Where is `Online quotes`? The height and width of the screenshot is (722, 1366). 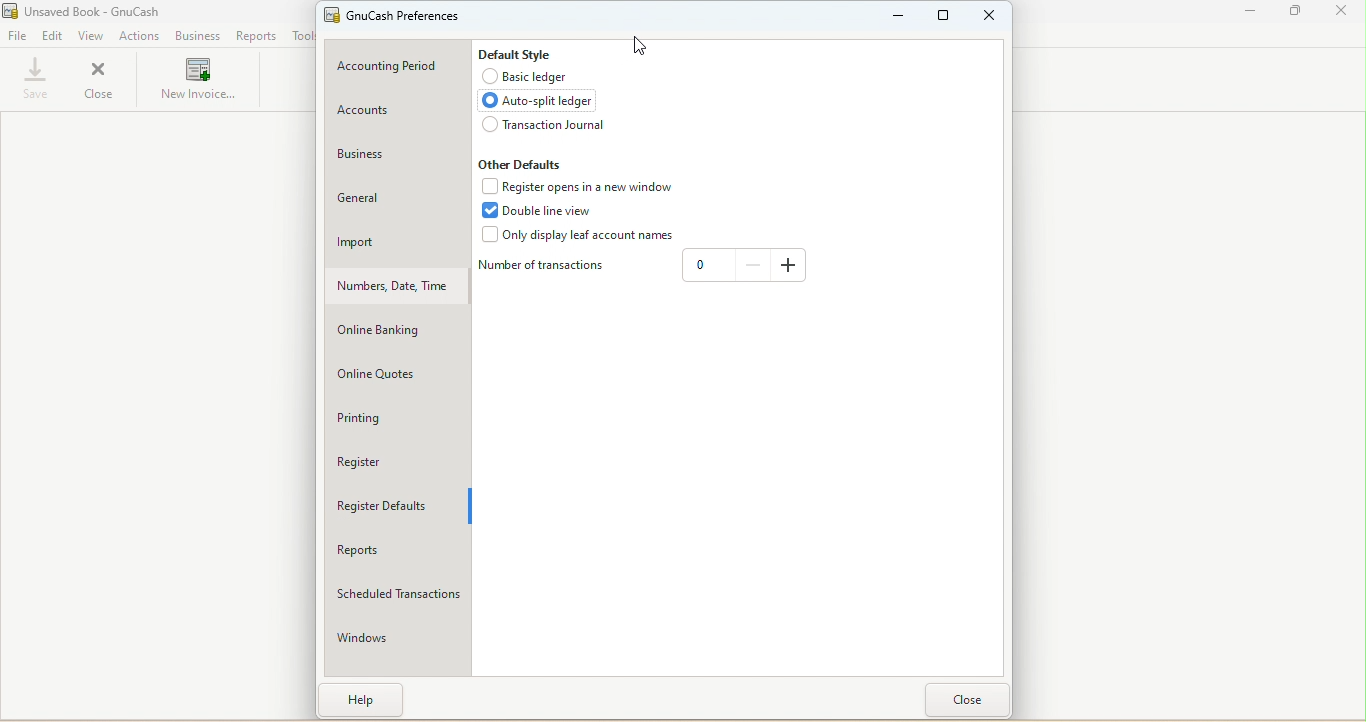
Online quotes is located at coordinates (396, 375).